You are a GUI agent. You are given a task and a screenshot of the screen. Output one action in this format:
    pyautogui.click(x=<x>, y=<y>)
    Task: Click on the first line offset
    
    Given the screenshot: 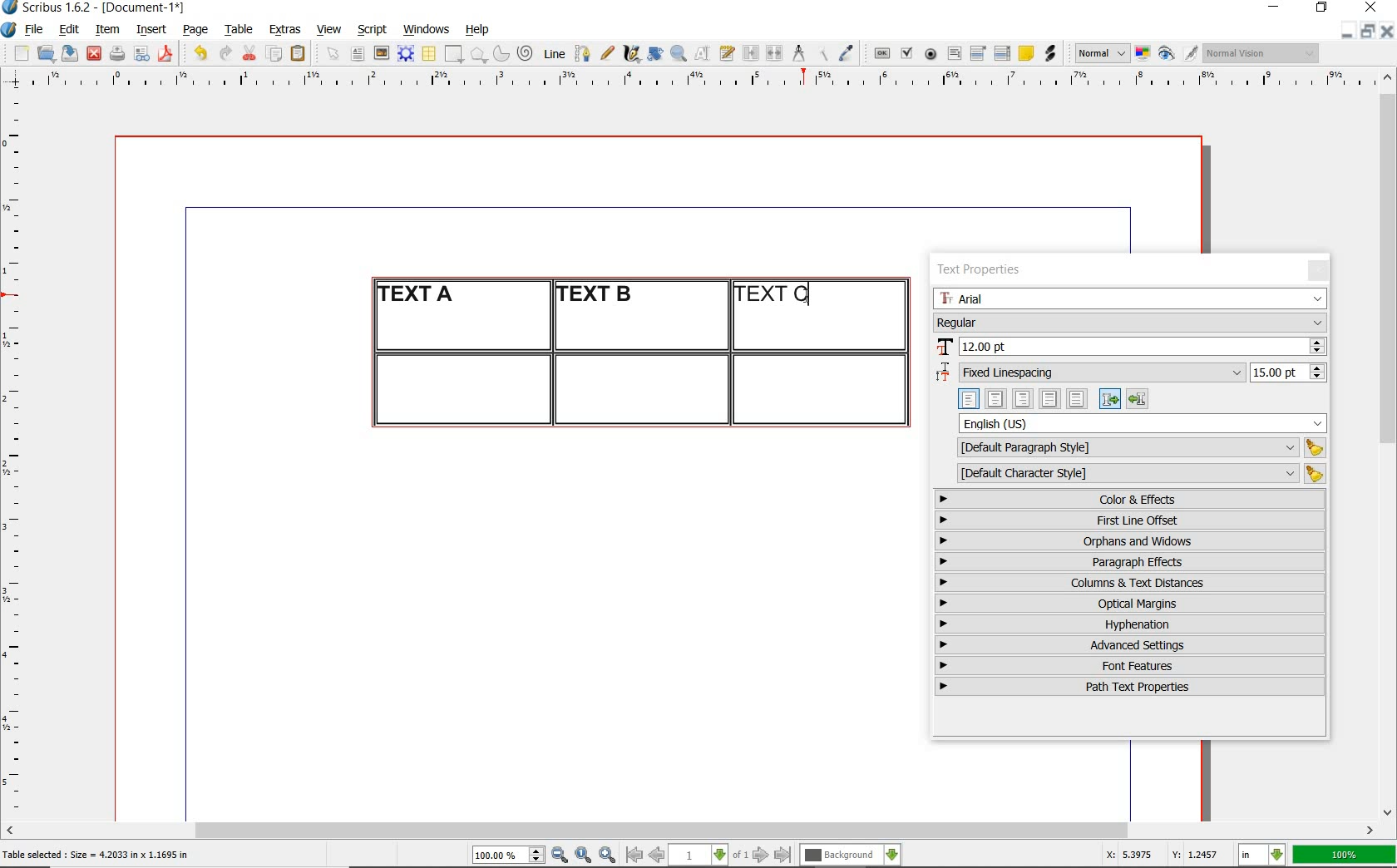 What is the action you would take?
    pyautogui.click(x=1131, y=520)
    